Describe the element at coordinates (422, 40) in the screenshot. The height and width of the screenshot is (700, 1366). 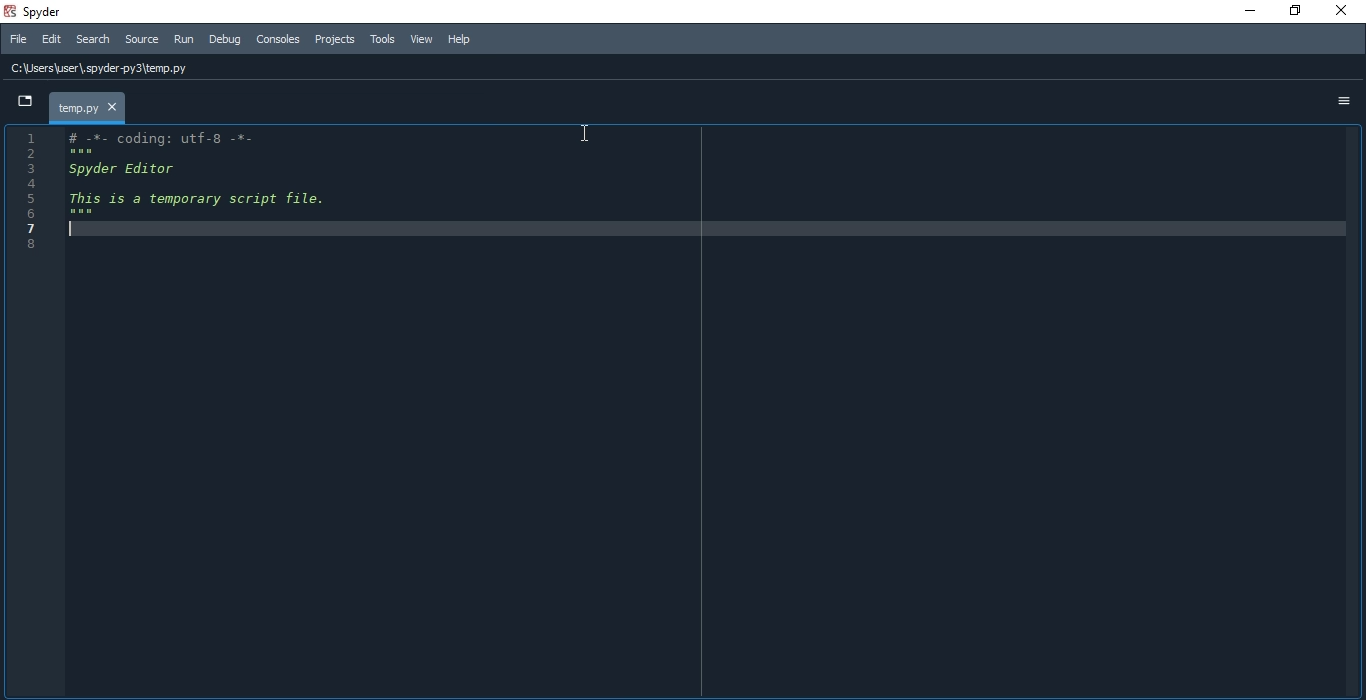
I see `View` at that location.